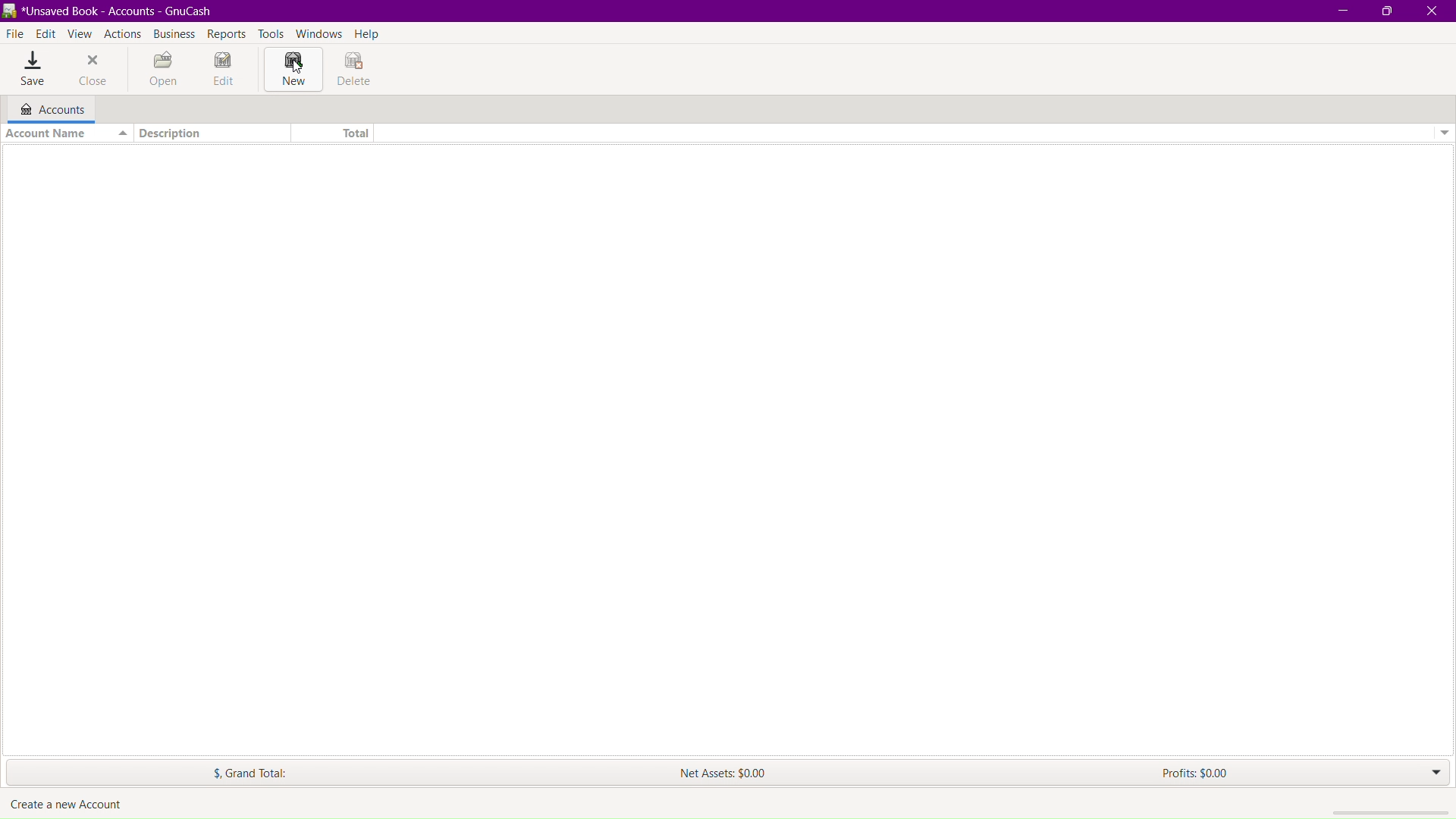 This screenshot has height=819, width=1456. I want to click on Total, so click(334, 134).